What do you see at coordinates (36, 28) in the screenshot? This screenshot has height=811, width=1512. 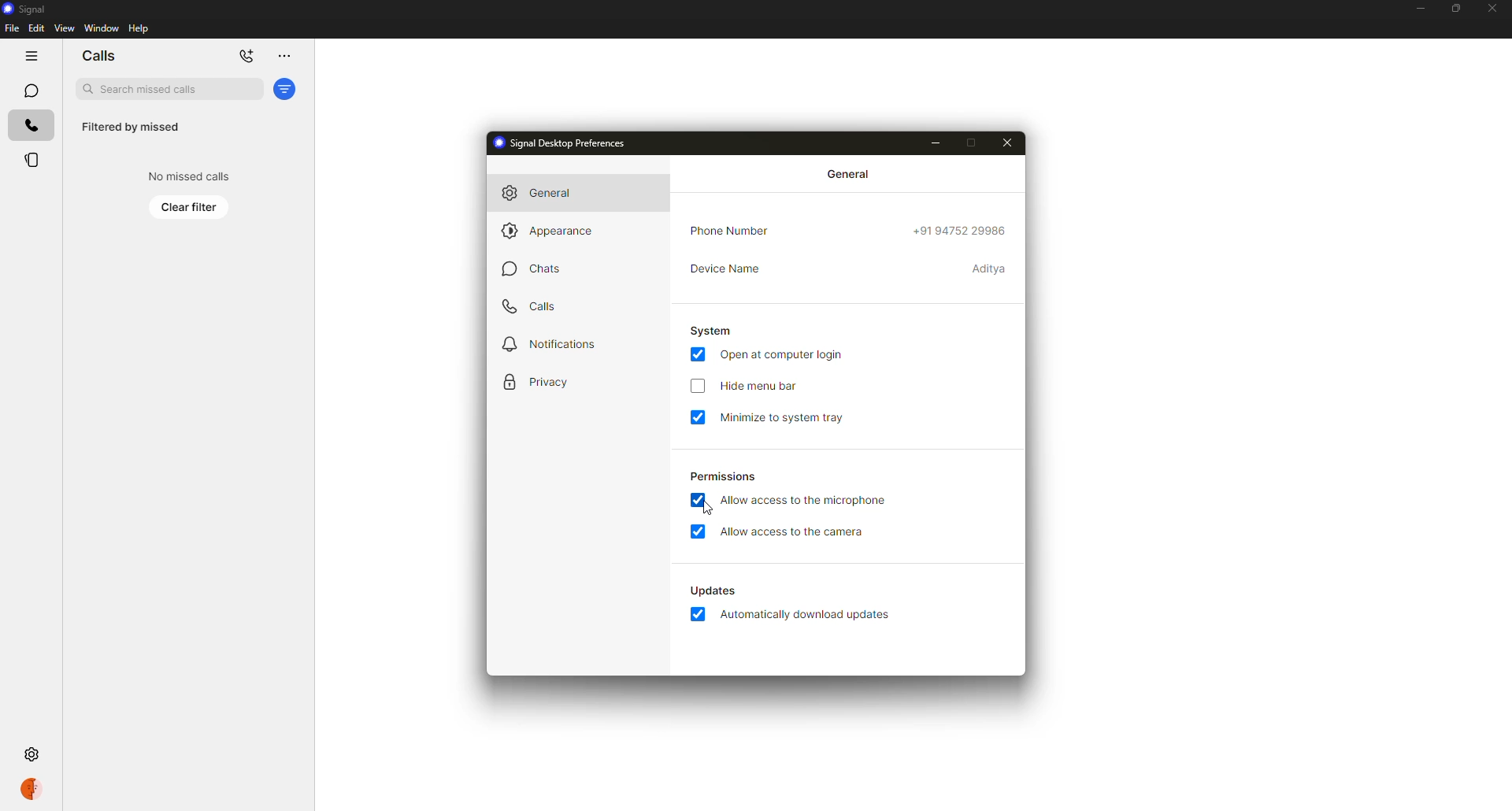 I see `edit` at bounding box center [36, 28].